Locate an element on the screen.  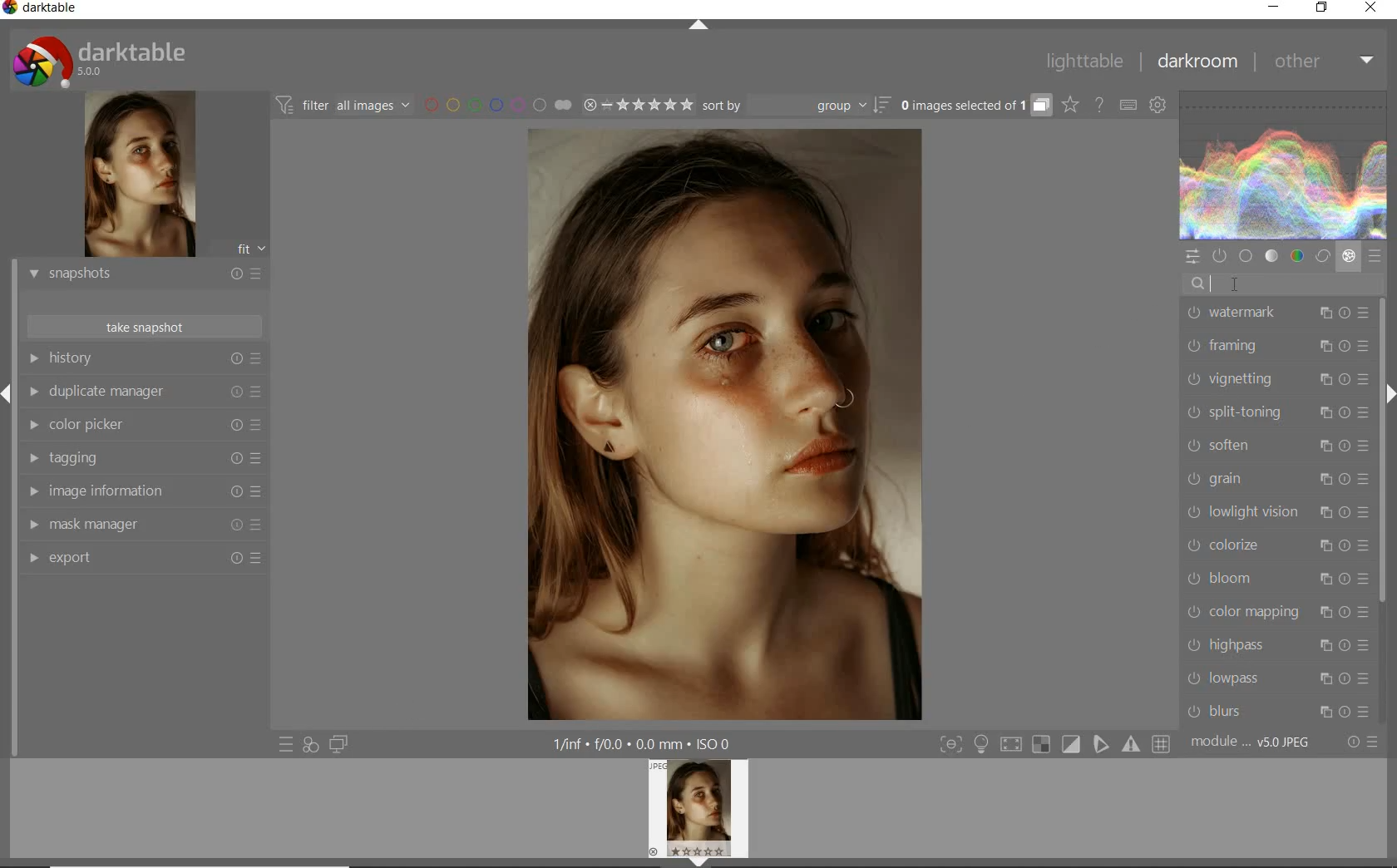
expand grouped images is located at coordinates (973, 105).